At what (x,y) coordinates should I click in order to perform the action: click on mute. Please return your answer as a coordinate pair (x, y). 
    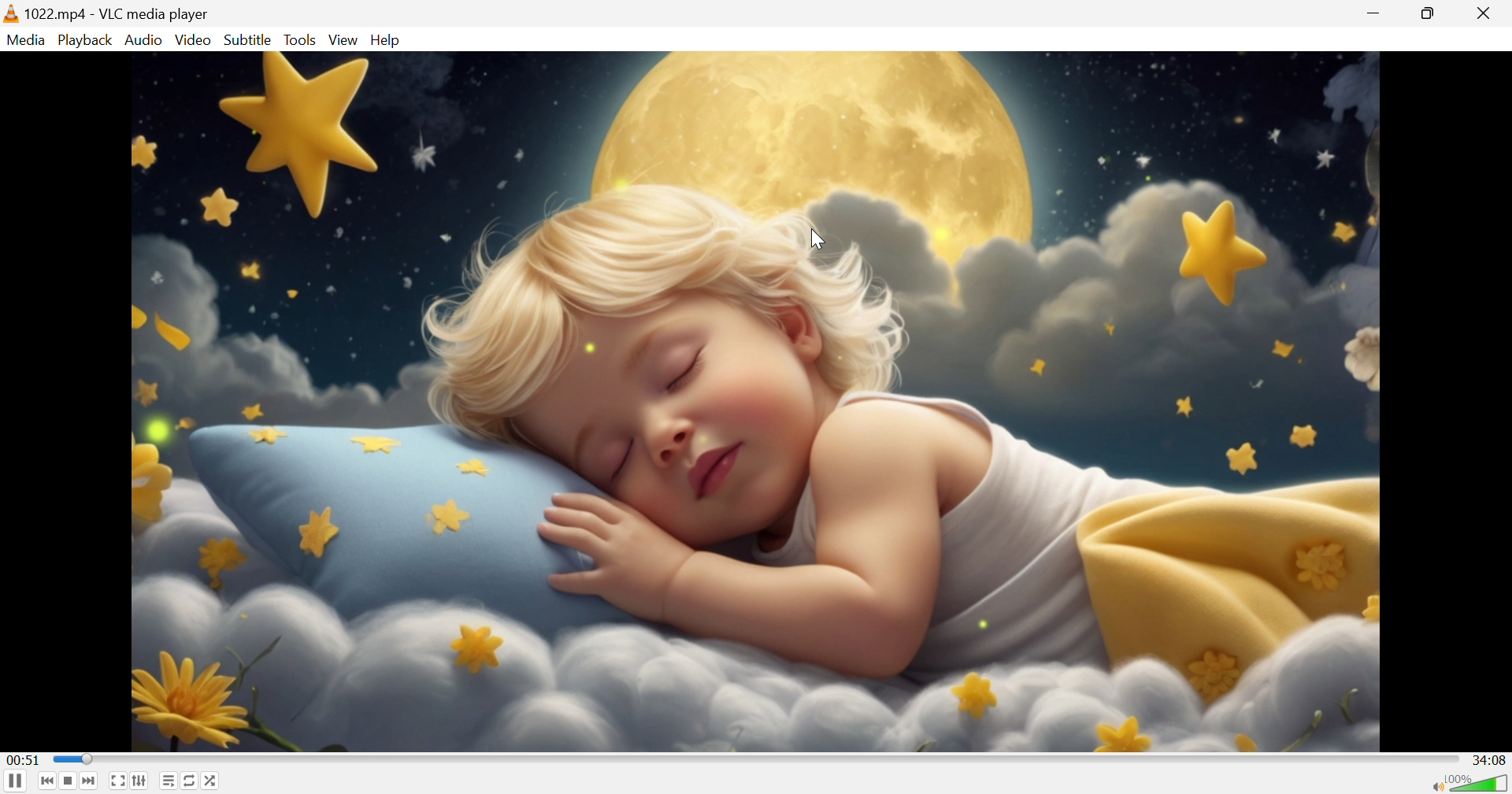
    Looking at the image, I should click on (1435, 787).